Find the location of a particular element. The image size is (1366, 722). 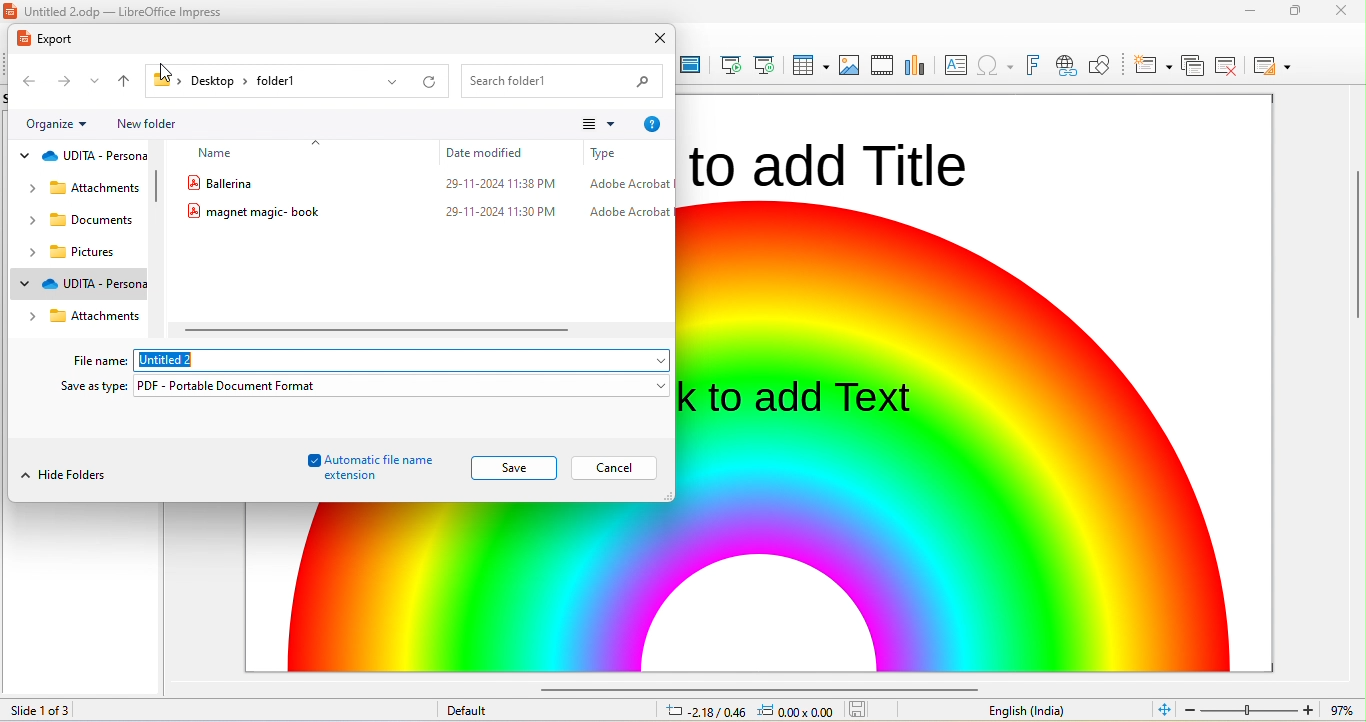

drop down is located at coordinates (22, 282).